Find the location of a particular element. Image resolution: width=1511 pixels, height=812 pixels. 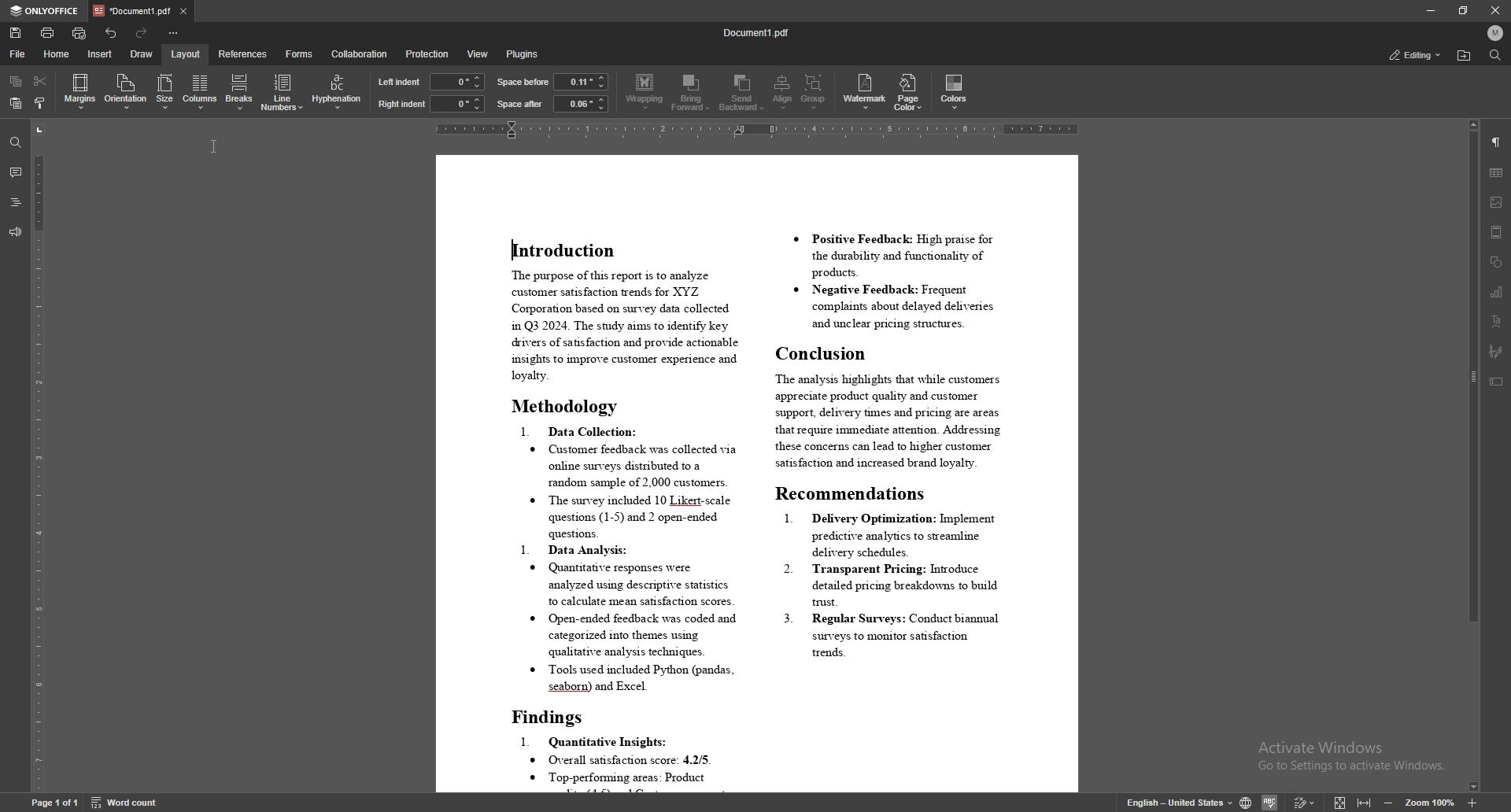

space before input is located at coordinates (582, 81).